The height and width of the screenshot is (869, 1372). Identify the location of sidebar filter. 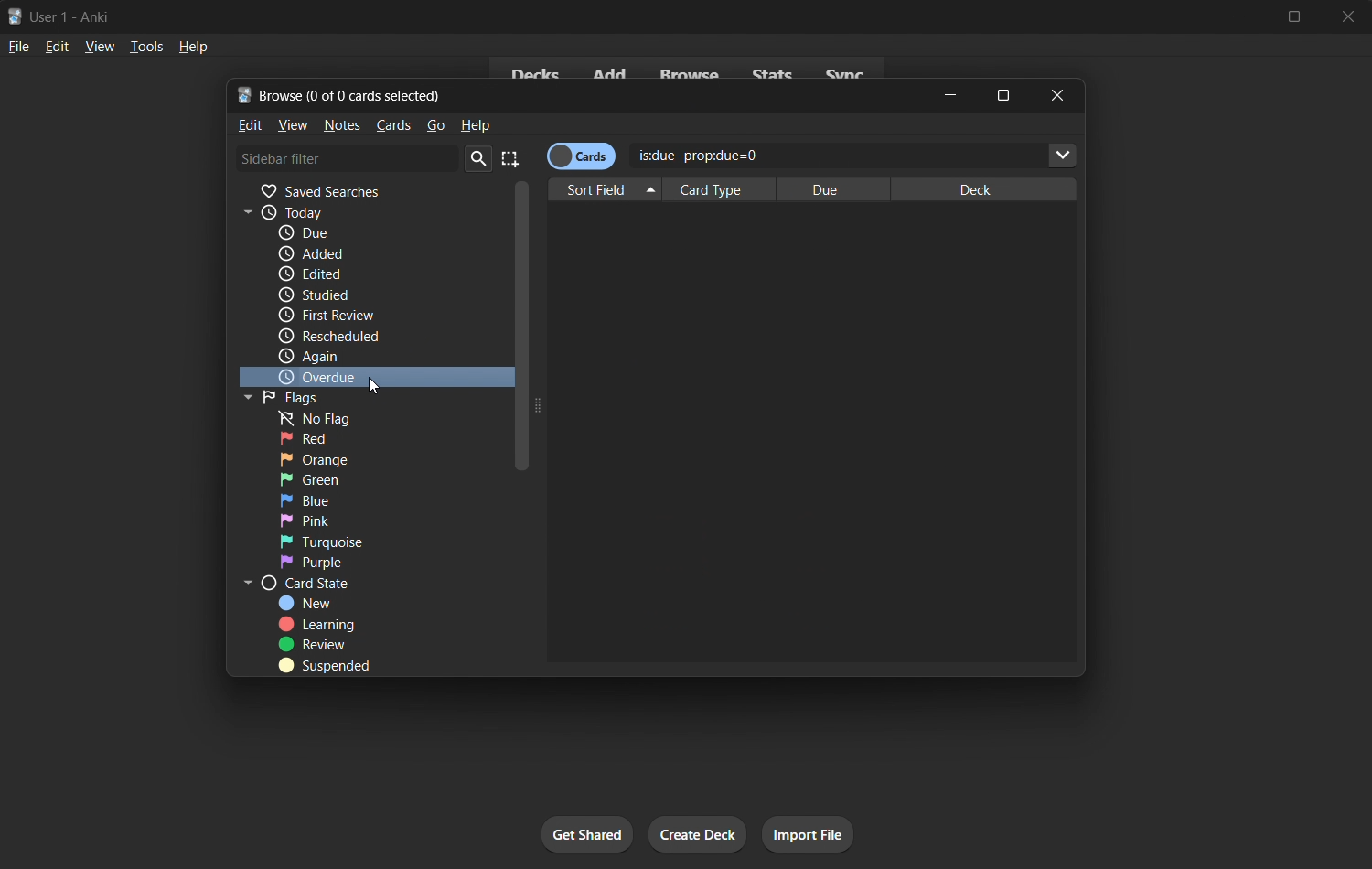
(346, 160).